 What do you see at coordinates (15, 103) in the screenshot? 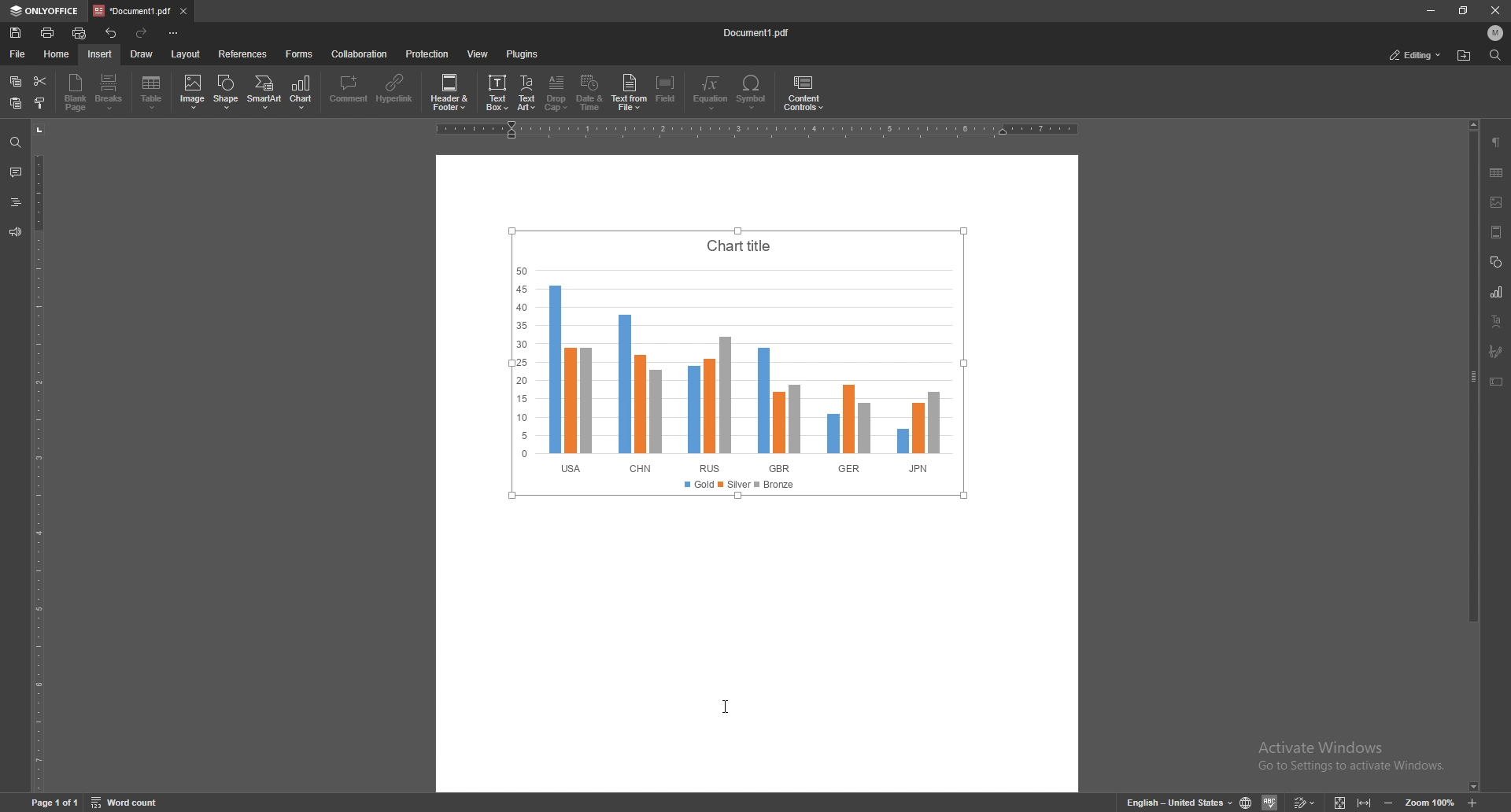
I see `paste` at bounding box center [15, 103].